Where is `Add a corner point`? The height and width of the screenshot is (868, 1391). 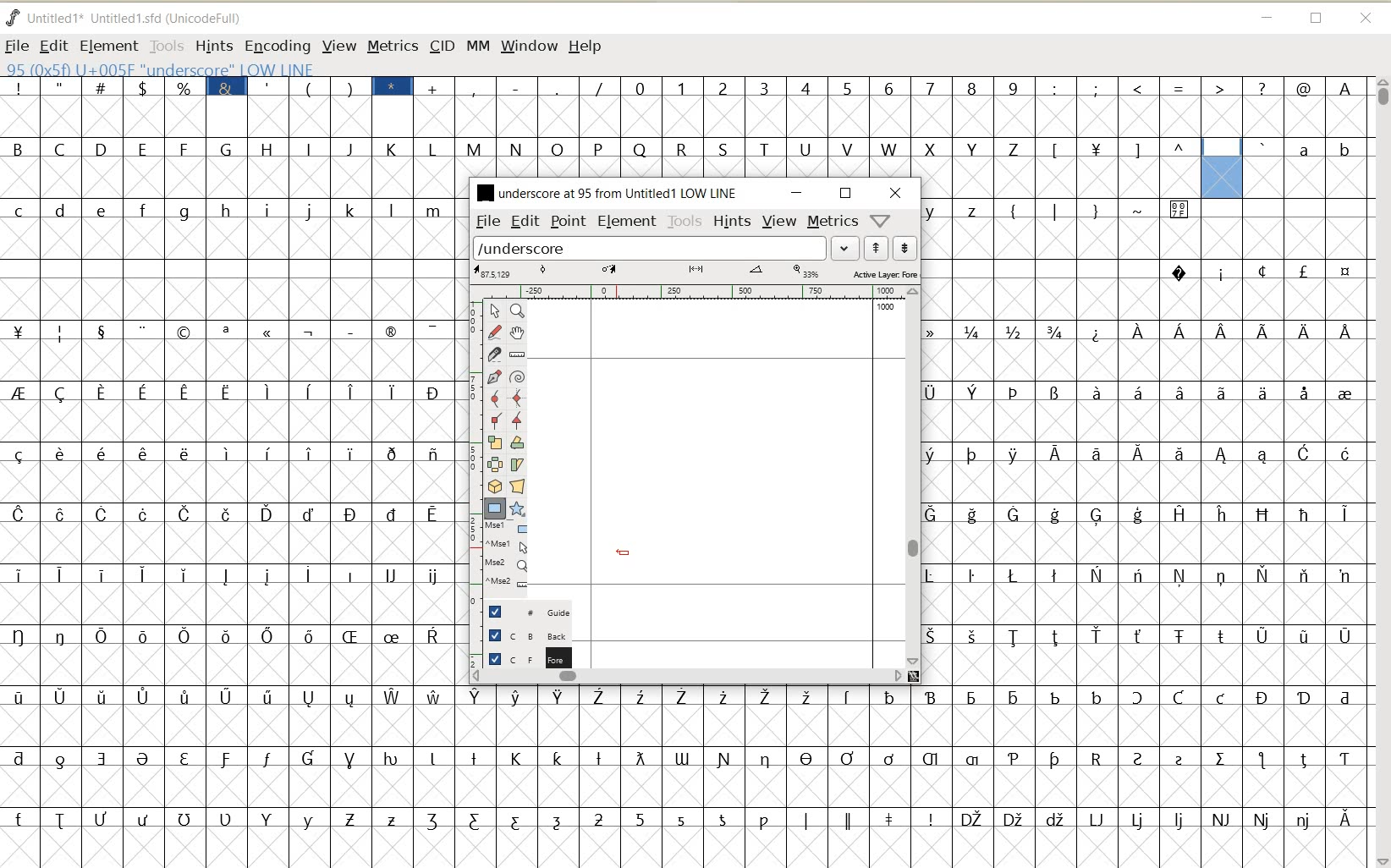
Add a corner point is located at coordinates (496, 420).